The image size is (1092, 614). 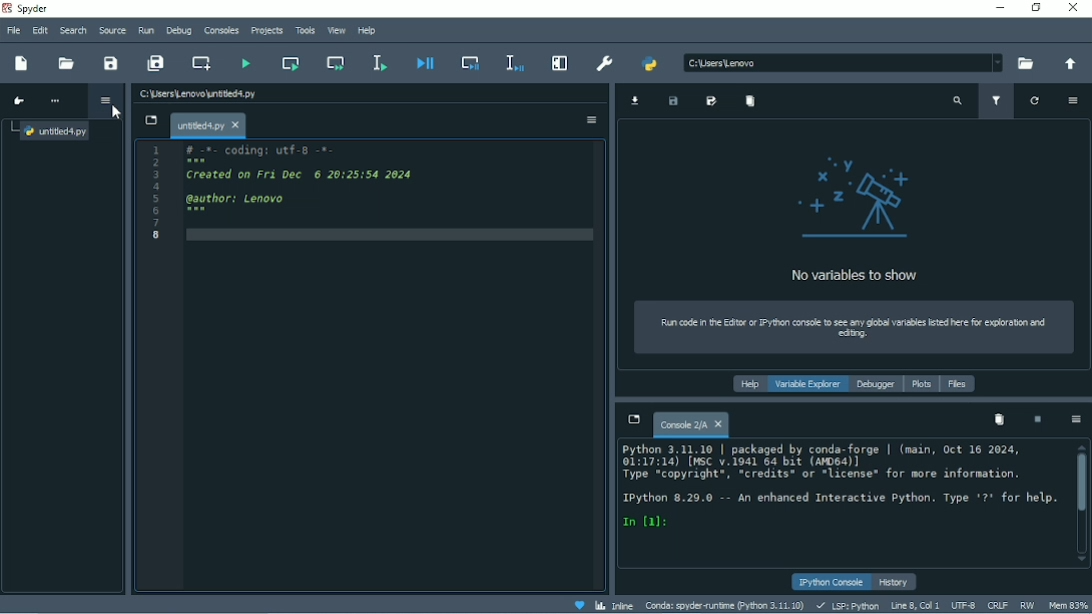 What do you see at coordinates (113, 30) in the screenshot?
I see `Source` at bounding box center [113, 30].